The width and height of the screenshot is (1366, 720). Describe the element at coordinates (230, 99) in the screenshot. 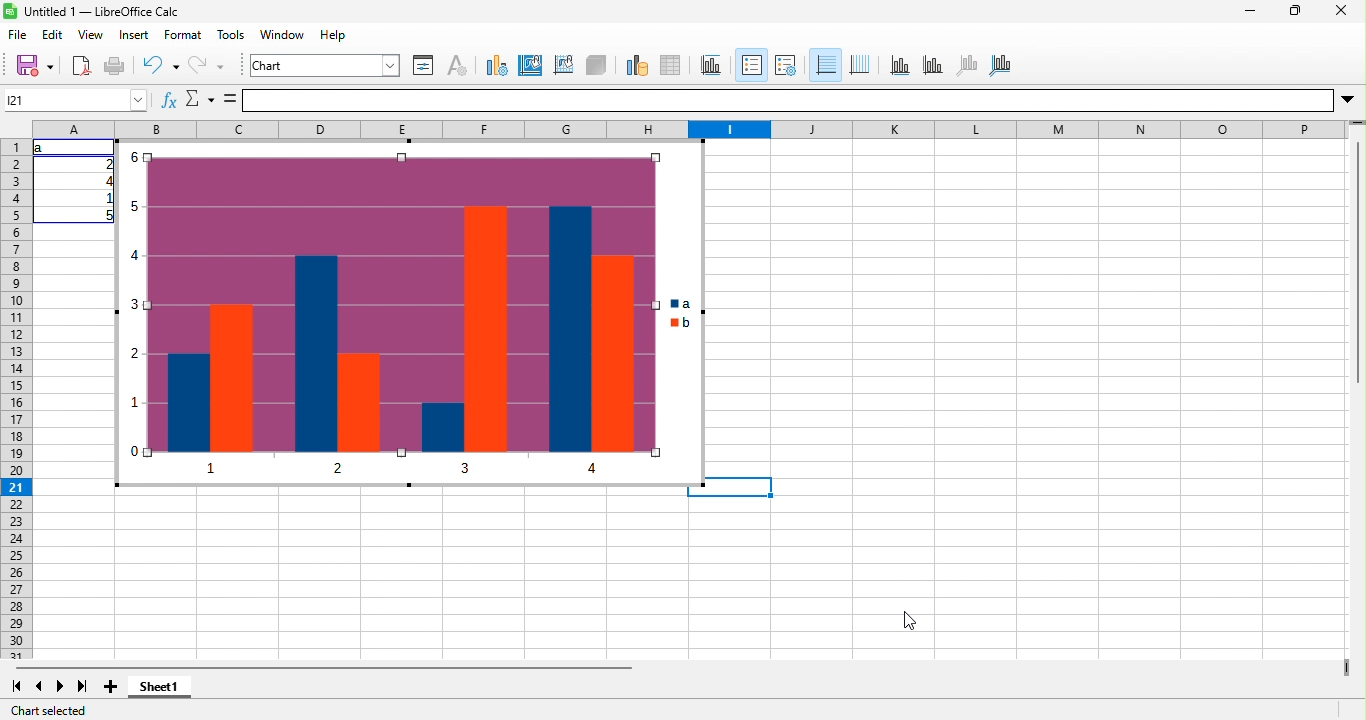

I see `is equal to symbol` at that location.